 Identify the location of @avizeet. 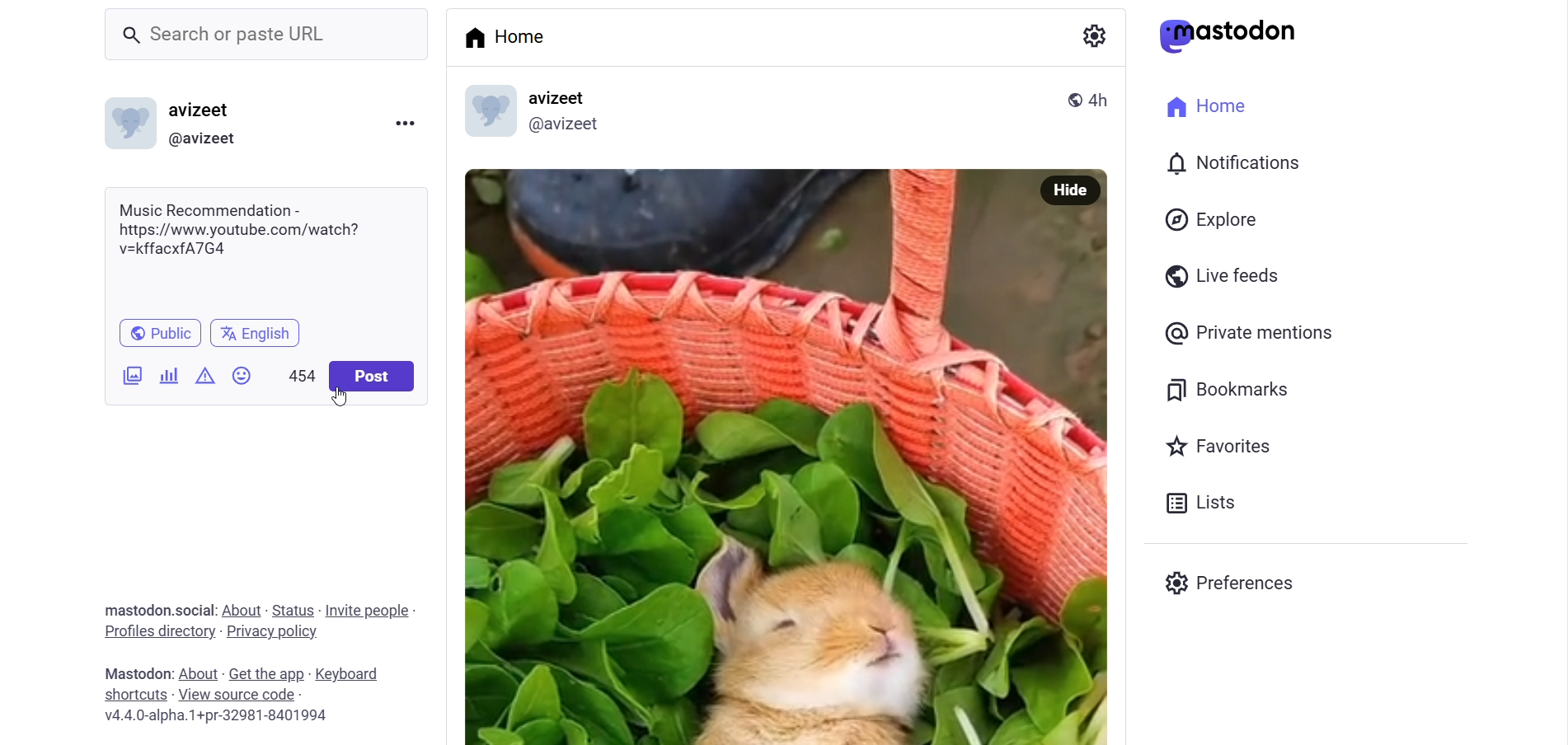
(212, 141).